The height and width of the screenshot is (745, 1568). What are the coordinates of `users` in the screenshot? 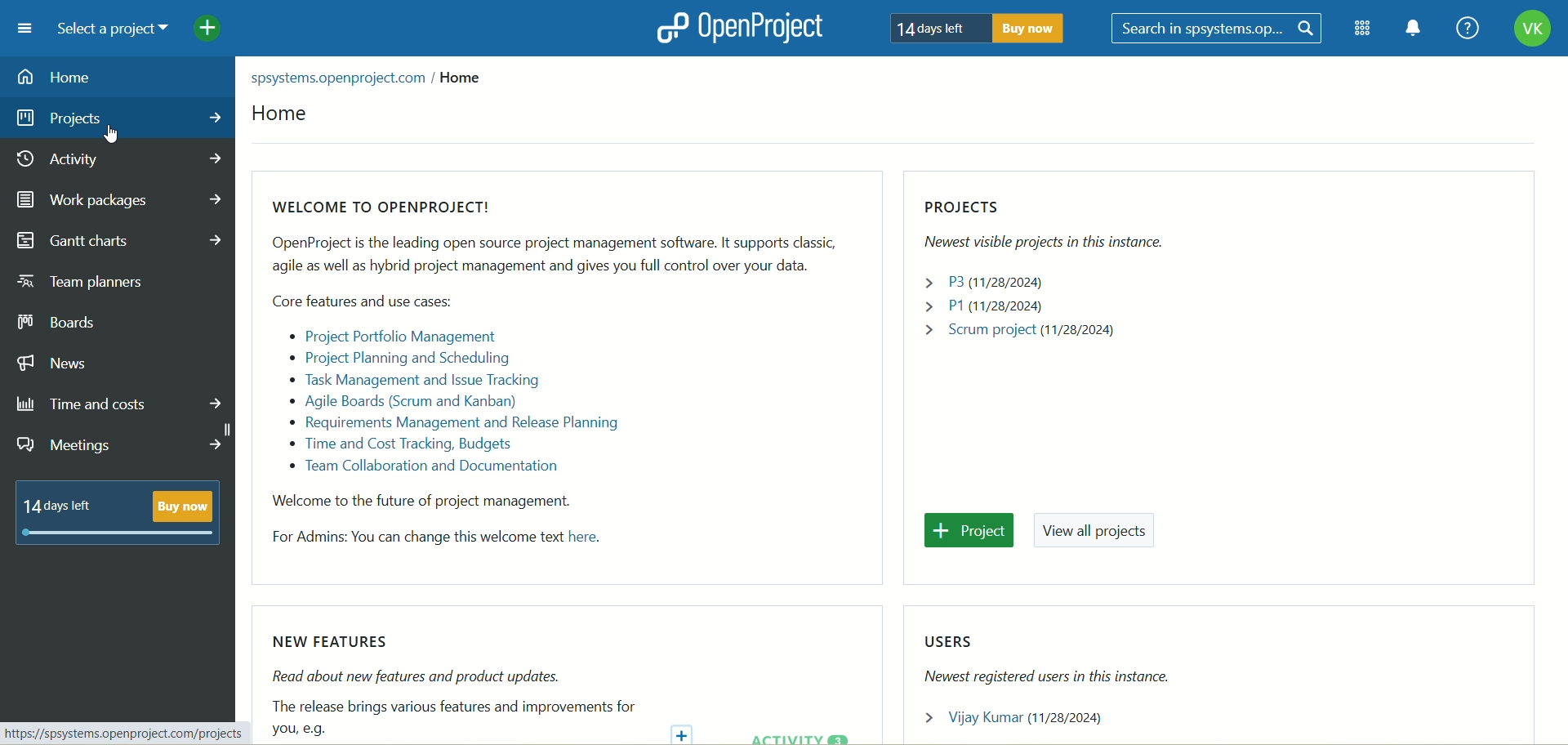 It's located at (952, 642).